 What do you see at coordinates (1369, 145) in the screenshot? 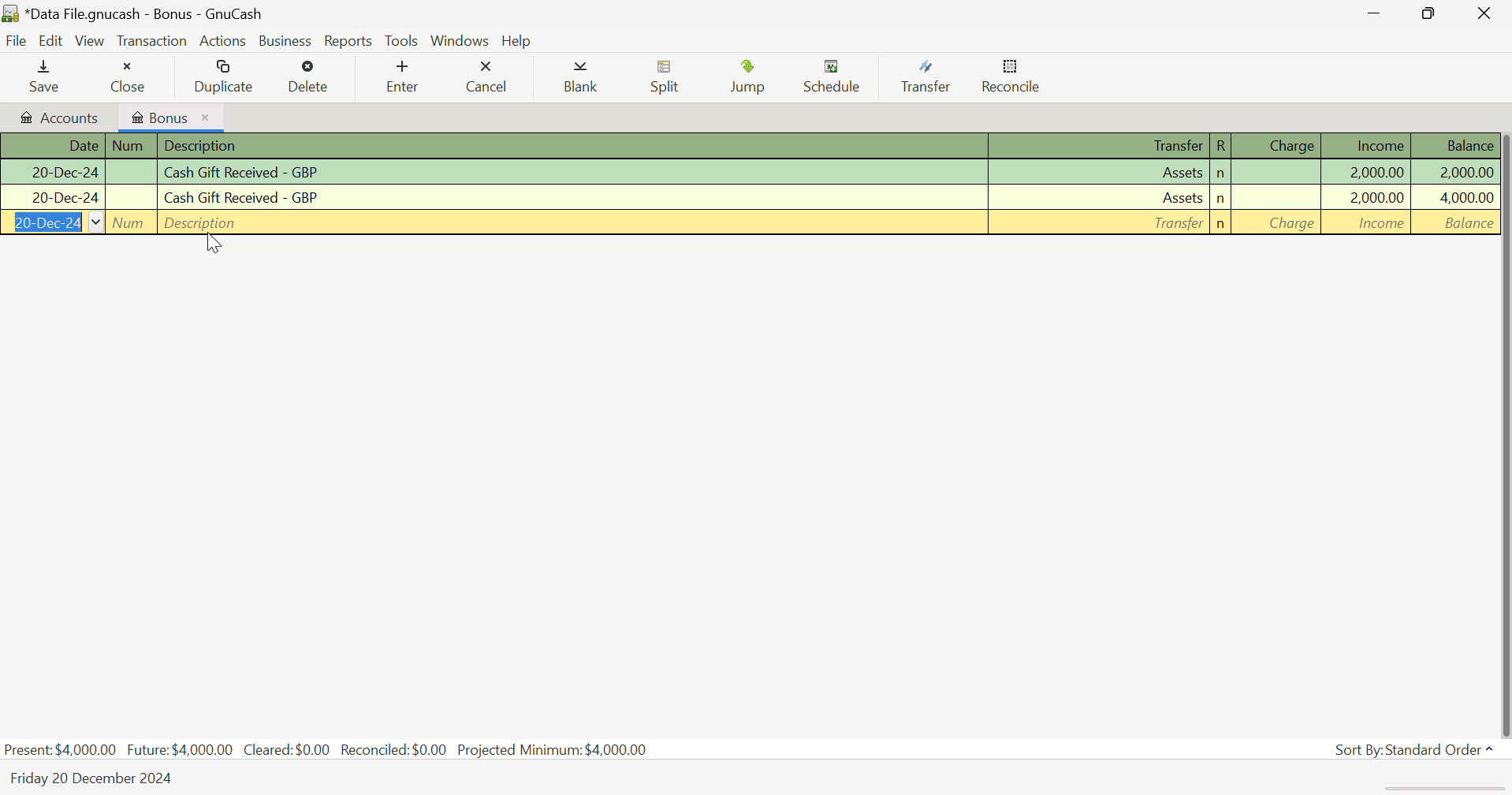
I see `Income` at bounding box center [1369, 145].